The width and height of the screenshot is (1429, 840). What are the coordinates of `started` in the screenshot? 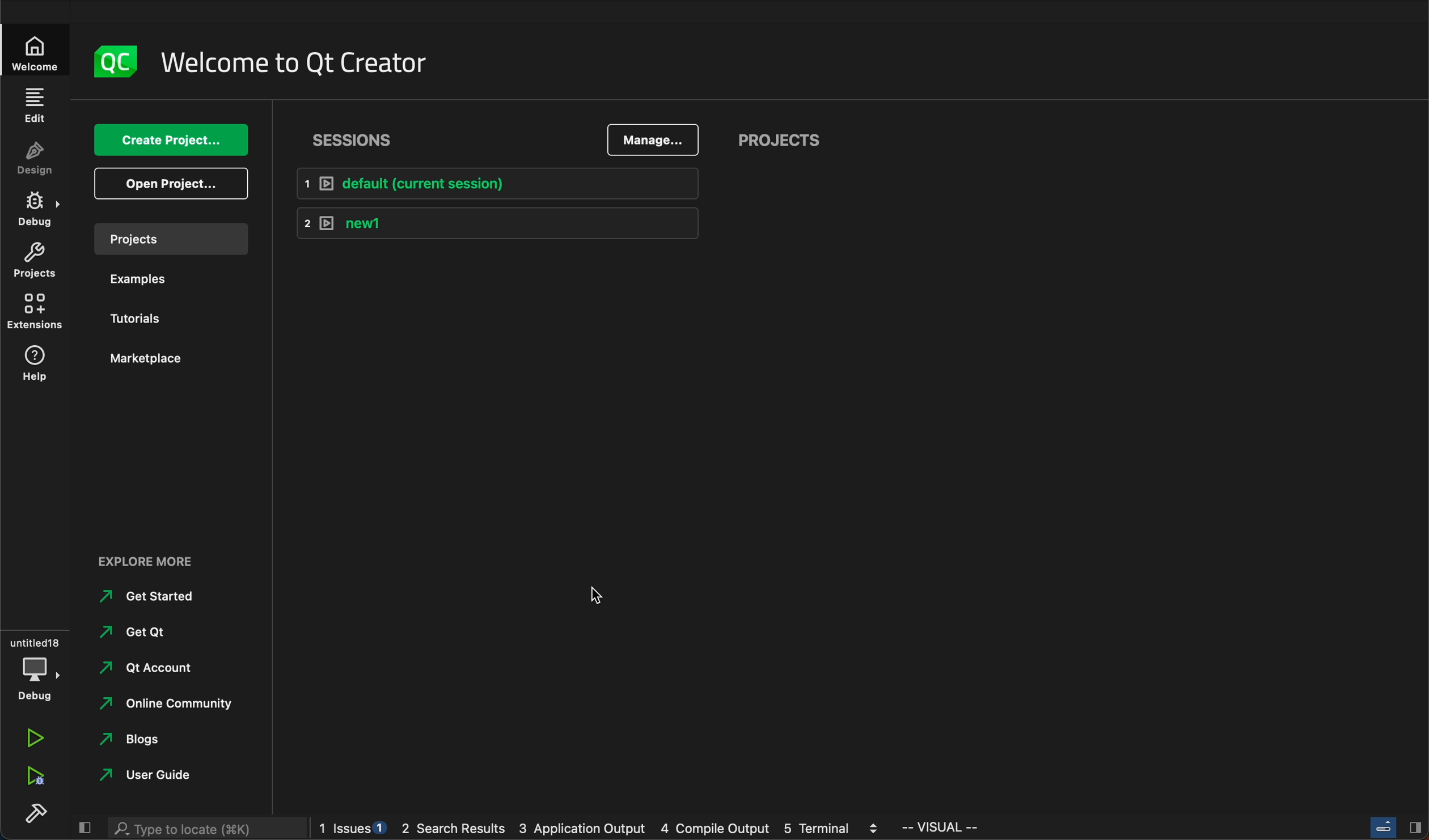 It's located at (157, 596).